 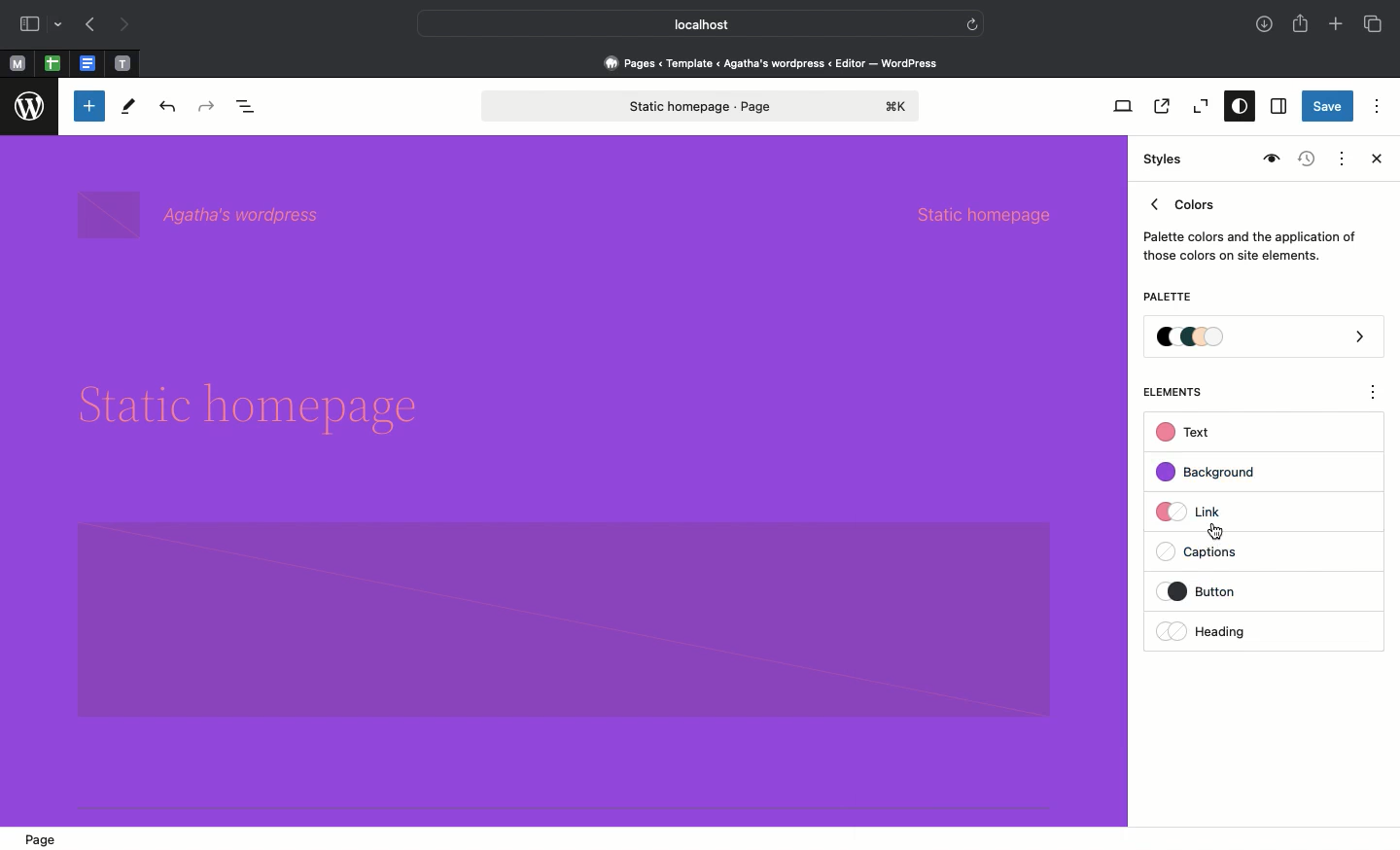 I want to click on Color change, so click(x=788, y=377).